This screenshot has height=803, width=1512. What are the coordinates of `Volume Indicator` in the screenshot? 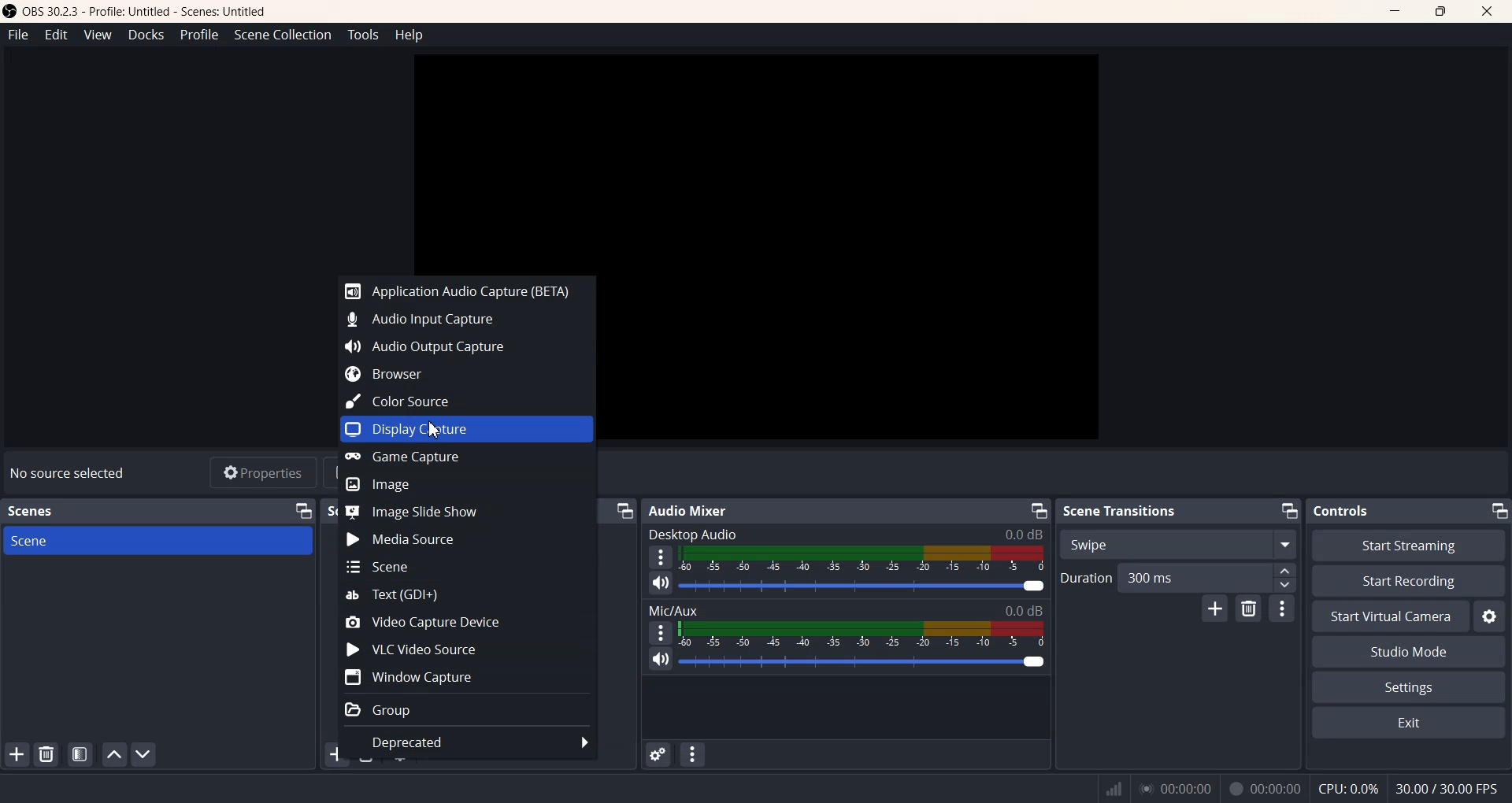 It's located at (862, 634).